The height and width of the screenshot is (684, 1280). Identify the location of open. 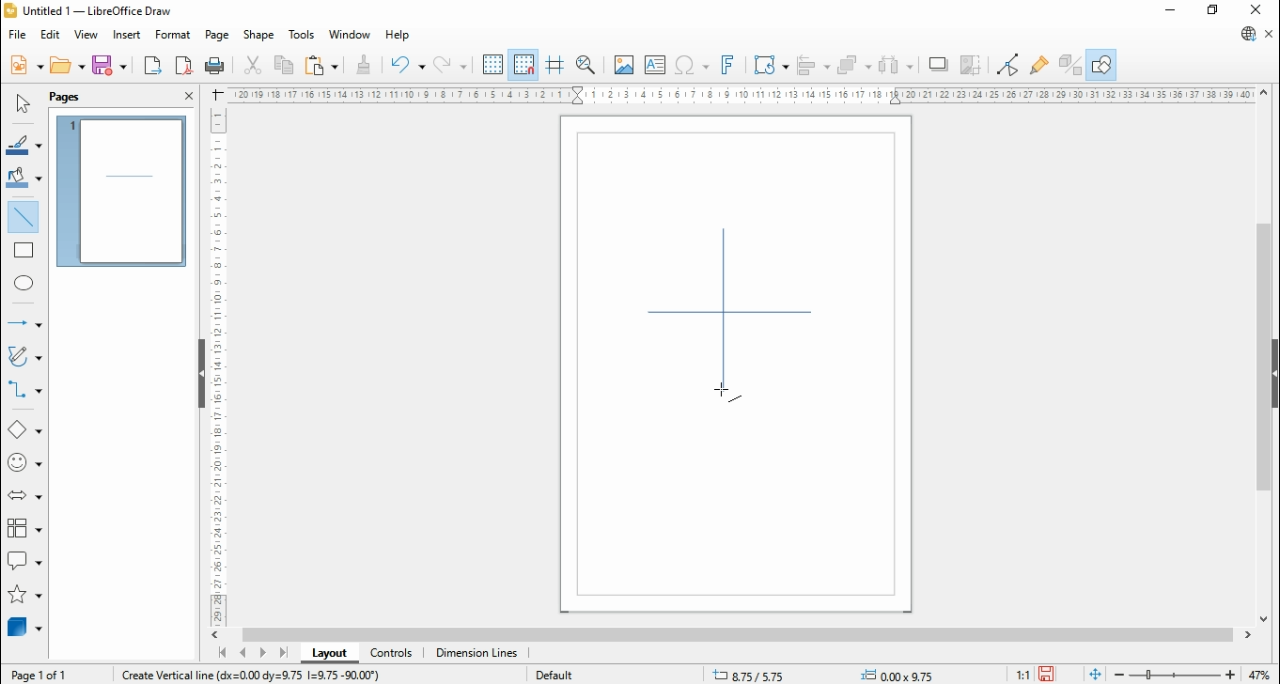
(69, 65).